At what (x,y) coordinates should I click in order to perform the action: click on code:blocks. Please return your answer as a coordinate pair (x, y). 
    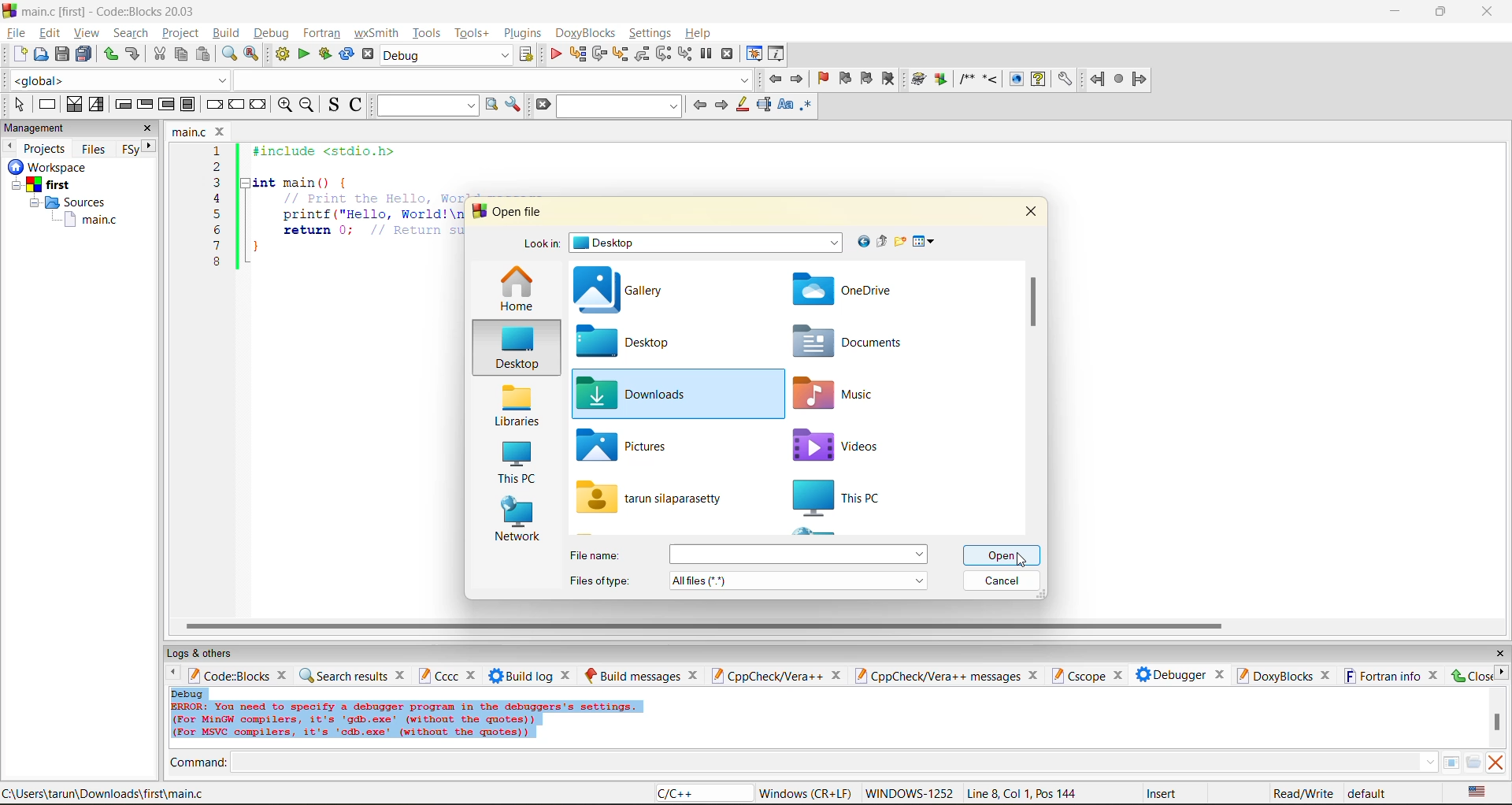
    Looking at the image, I should click on (228, 675).